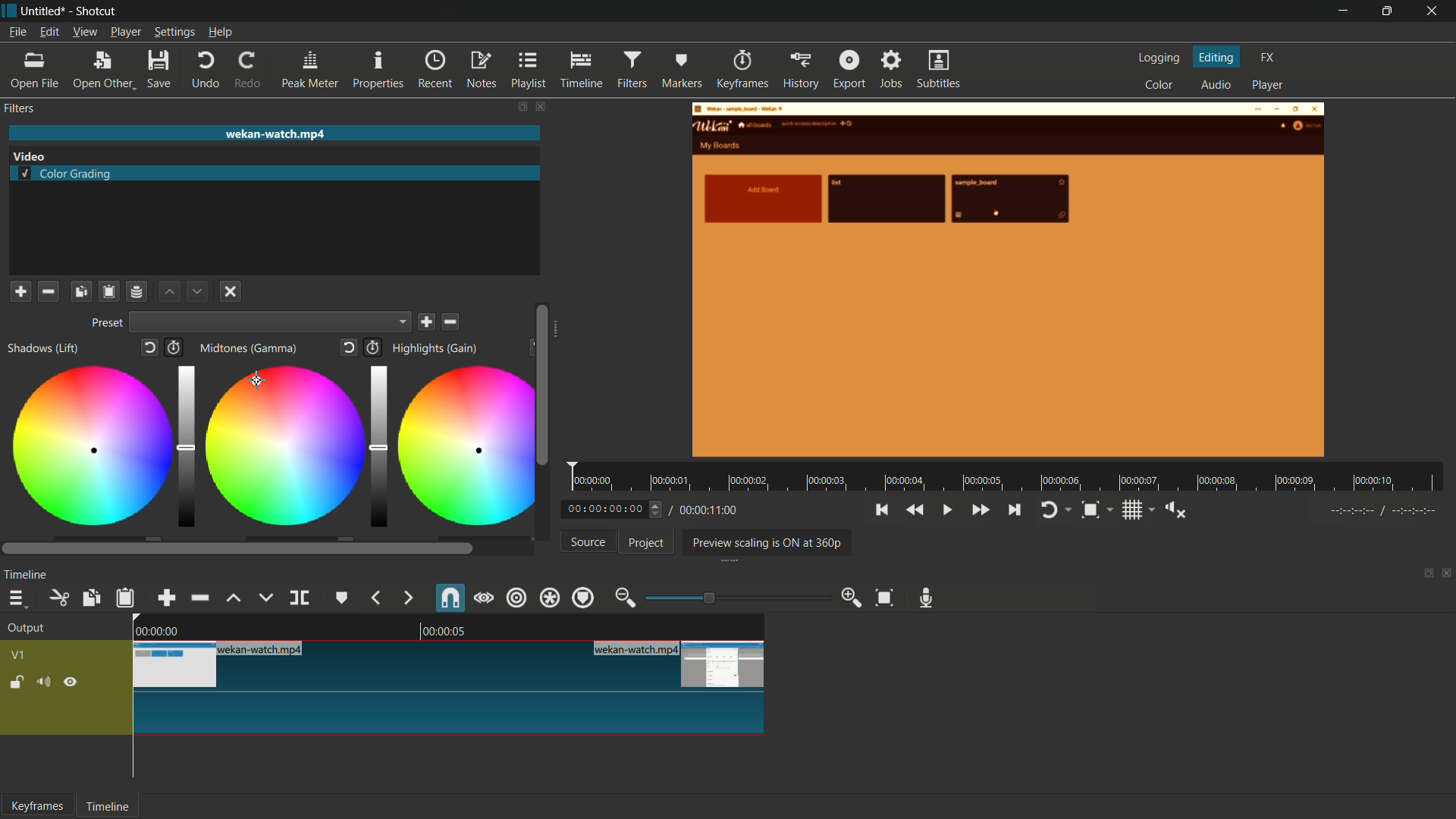 The height and width of the screenshot is (819, 1456). Describe the element at coordinates (582, 71) in the screenshot. I see `timeline` at that location.